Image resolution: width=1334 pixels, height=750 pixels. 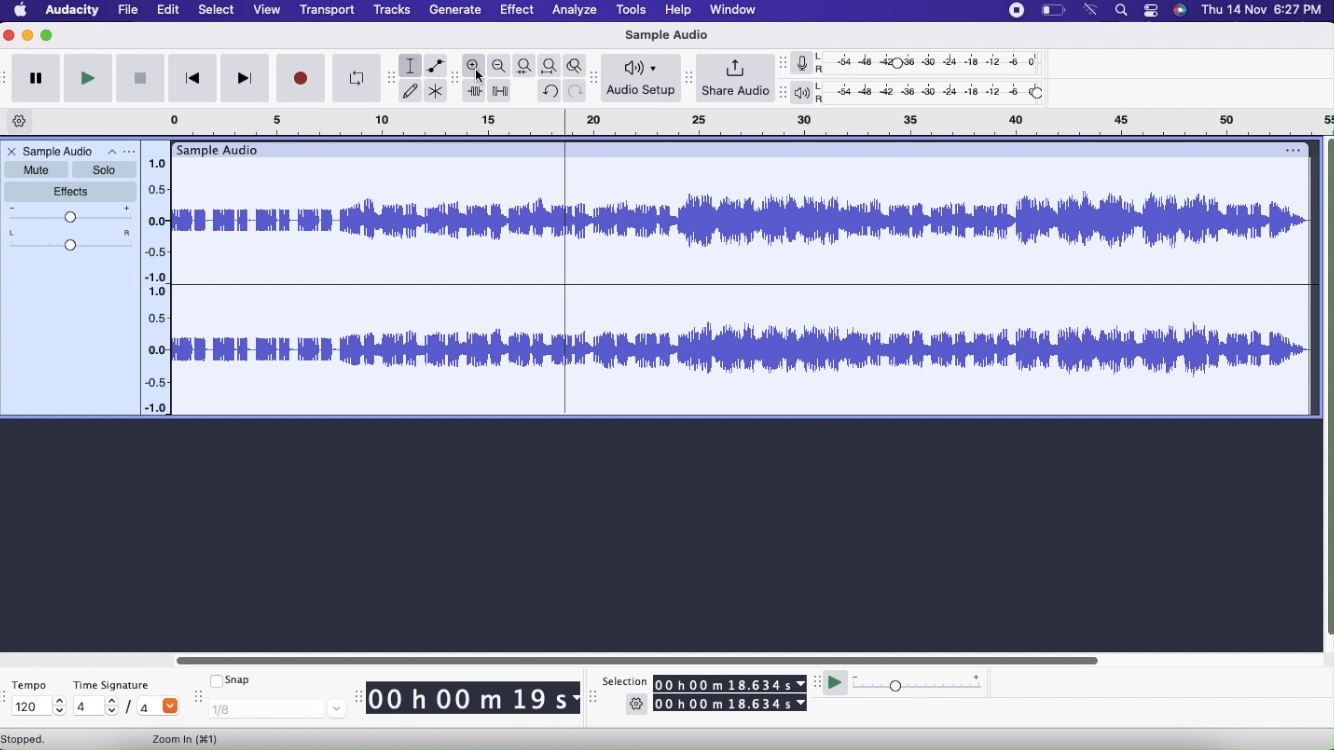 I want to click on resize, so click(x=359, y=696).